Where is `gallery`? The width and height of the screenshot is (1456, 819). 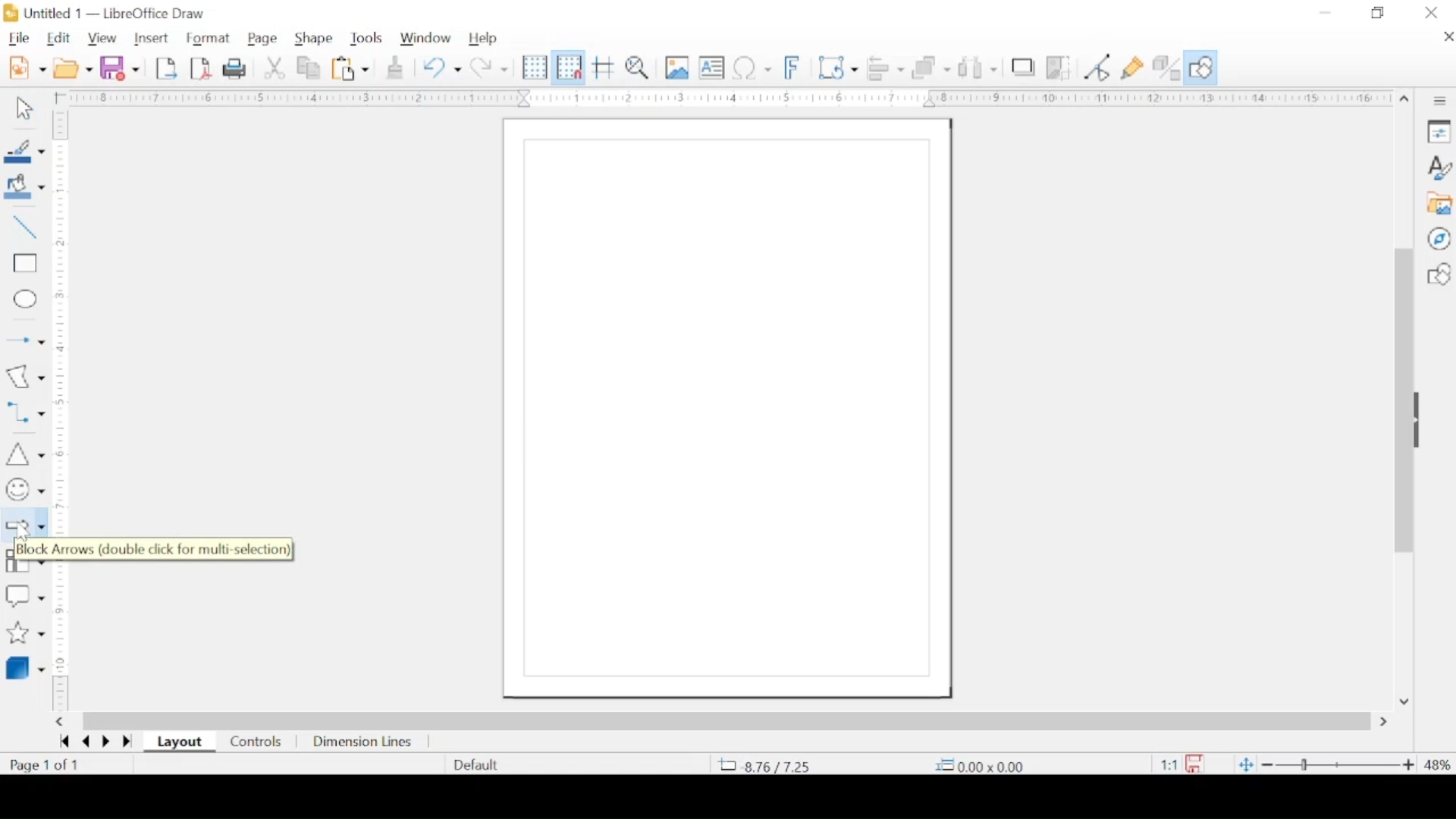 gallery is located at coordinates (1439, 203).